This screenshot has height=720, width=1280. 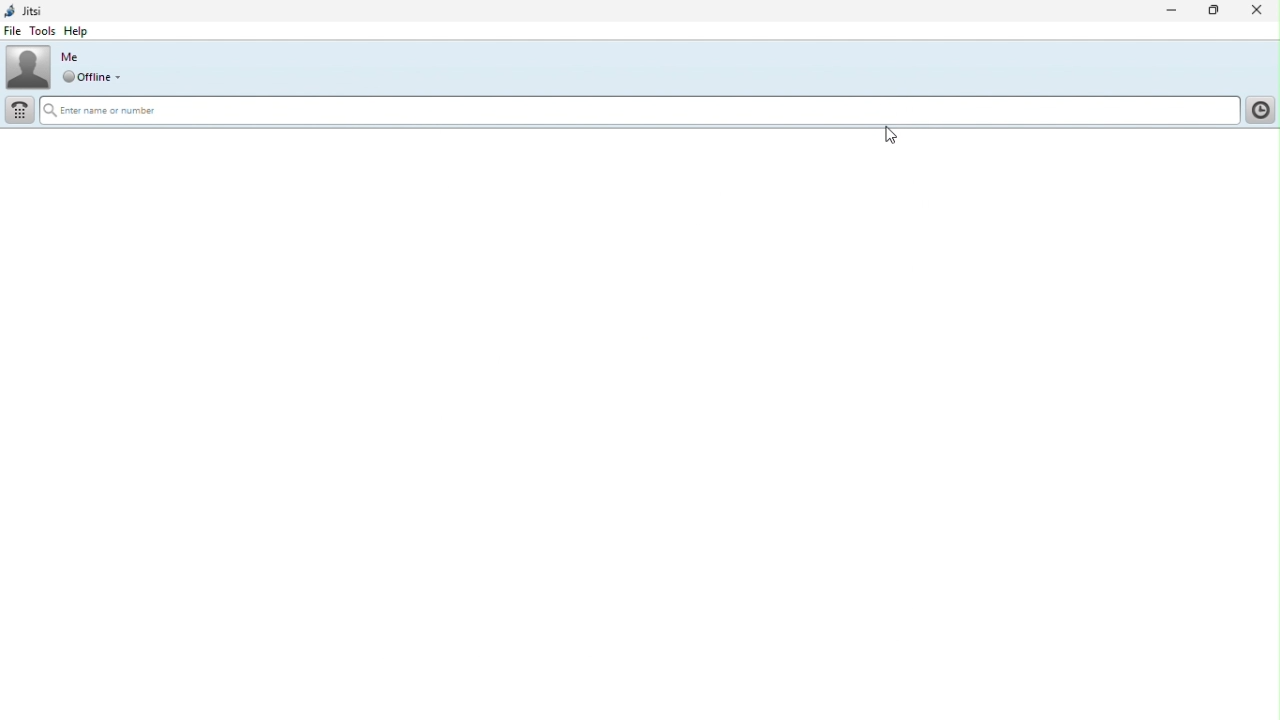 I want to click on Search bar, so click(x=637, y=113).